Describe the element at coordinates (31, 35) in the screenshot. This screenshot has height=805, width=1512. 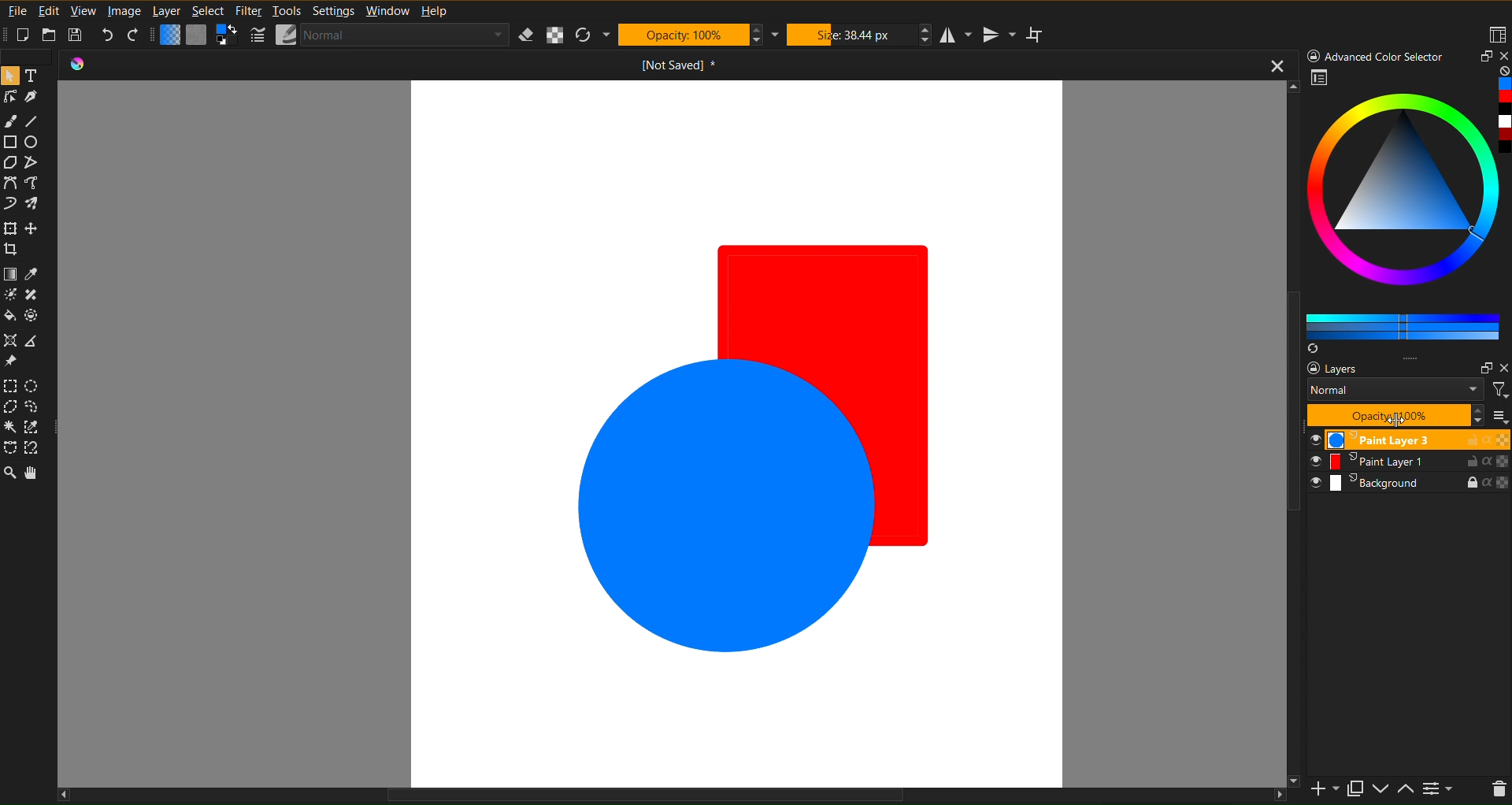
I see `New` at that location.